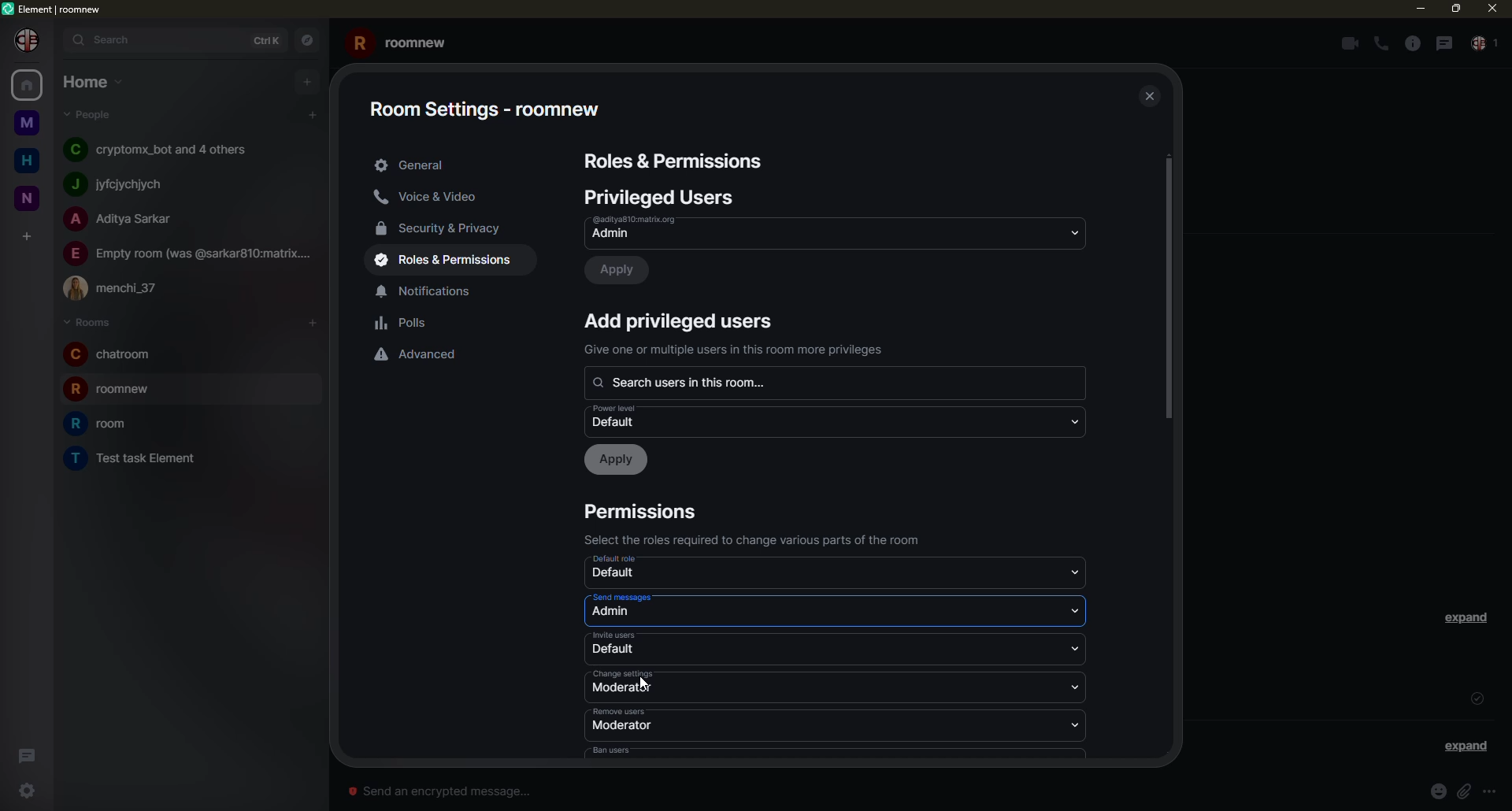 This screenshot has height=811, width=1512. What do you see at coordinates (403, 41) in the screenshot?
I see `roomnew` at bounding box center [403, 41].